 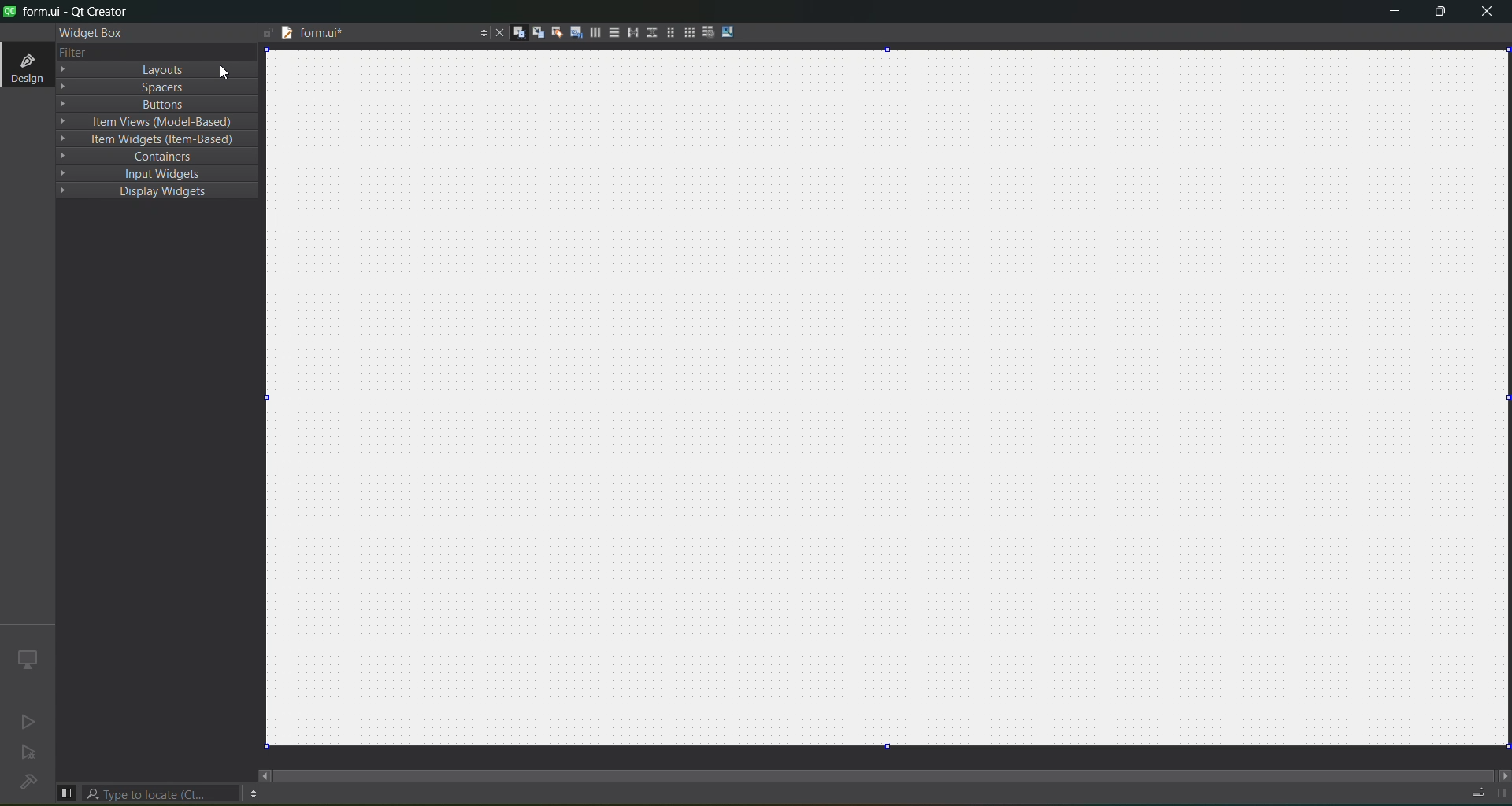 What do you see at coordinates (688, 34) in the screenshot?
I see `layout in a grid` at bounding box center [688, 34].